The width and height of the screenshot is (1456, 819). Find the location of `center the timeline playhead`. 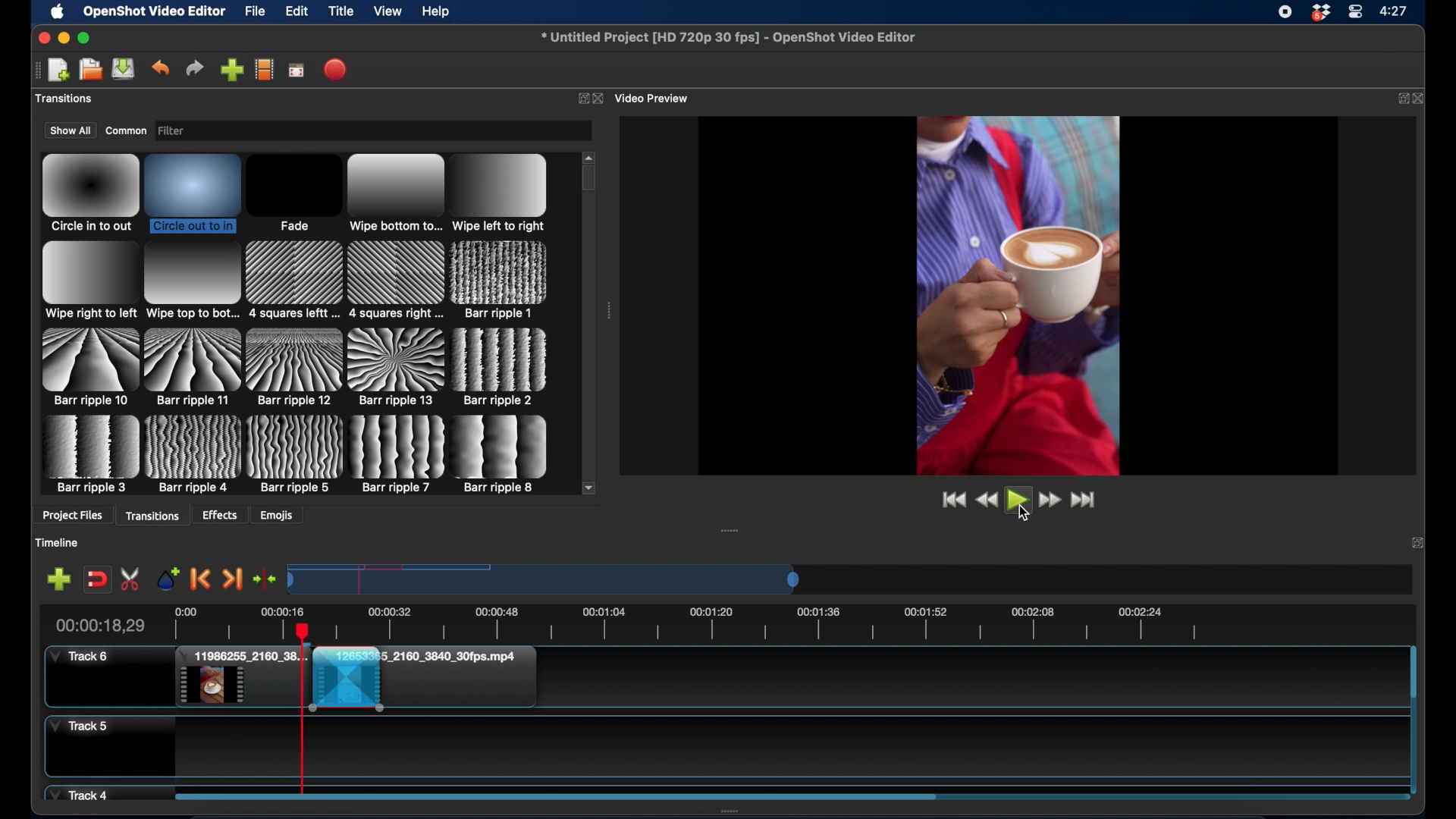

center the timeline playhead is located at coordinates (265, 580).